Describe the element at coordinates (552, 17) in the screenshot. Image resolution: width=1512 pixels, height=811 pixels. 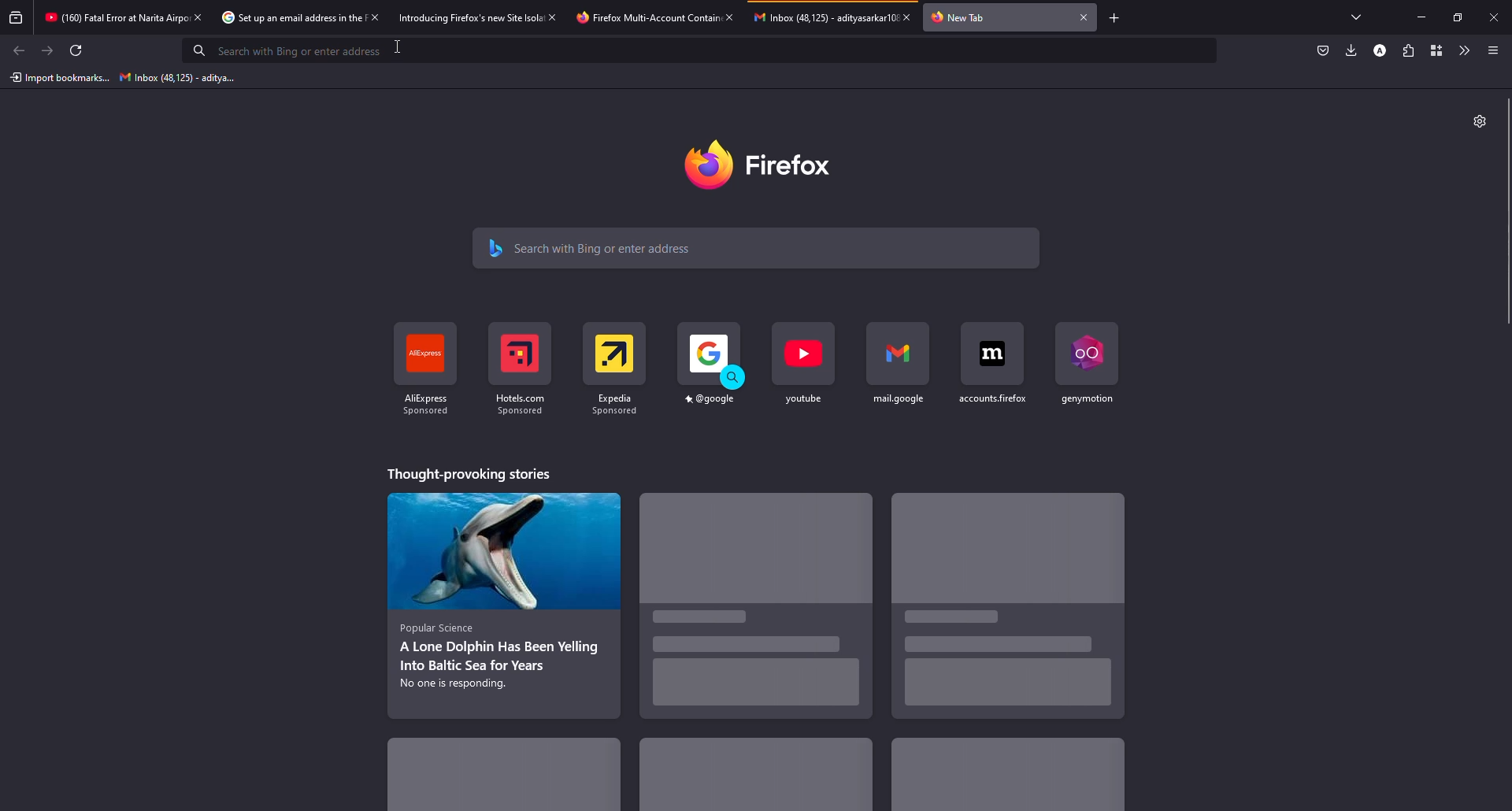
I see `close` at that location.